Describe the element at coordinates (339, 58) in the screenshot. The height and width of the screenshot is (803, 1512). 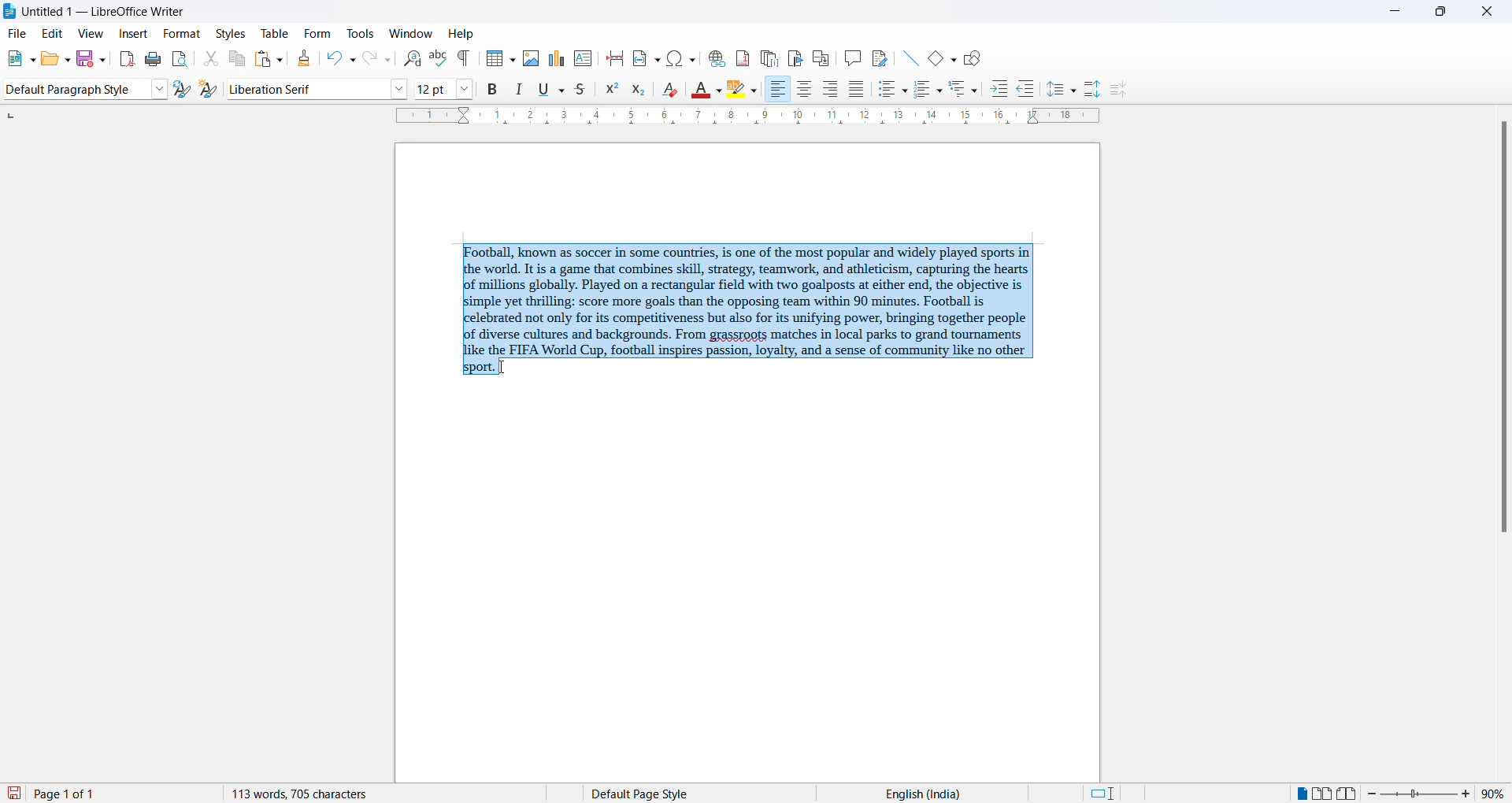
I see `undo` at that location.